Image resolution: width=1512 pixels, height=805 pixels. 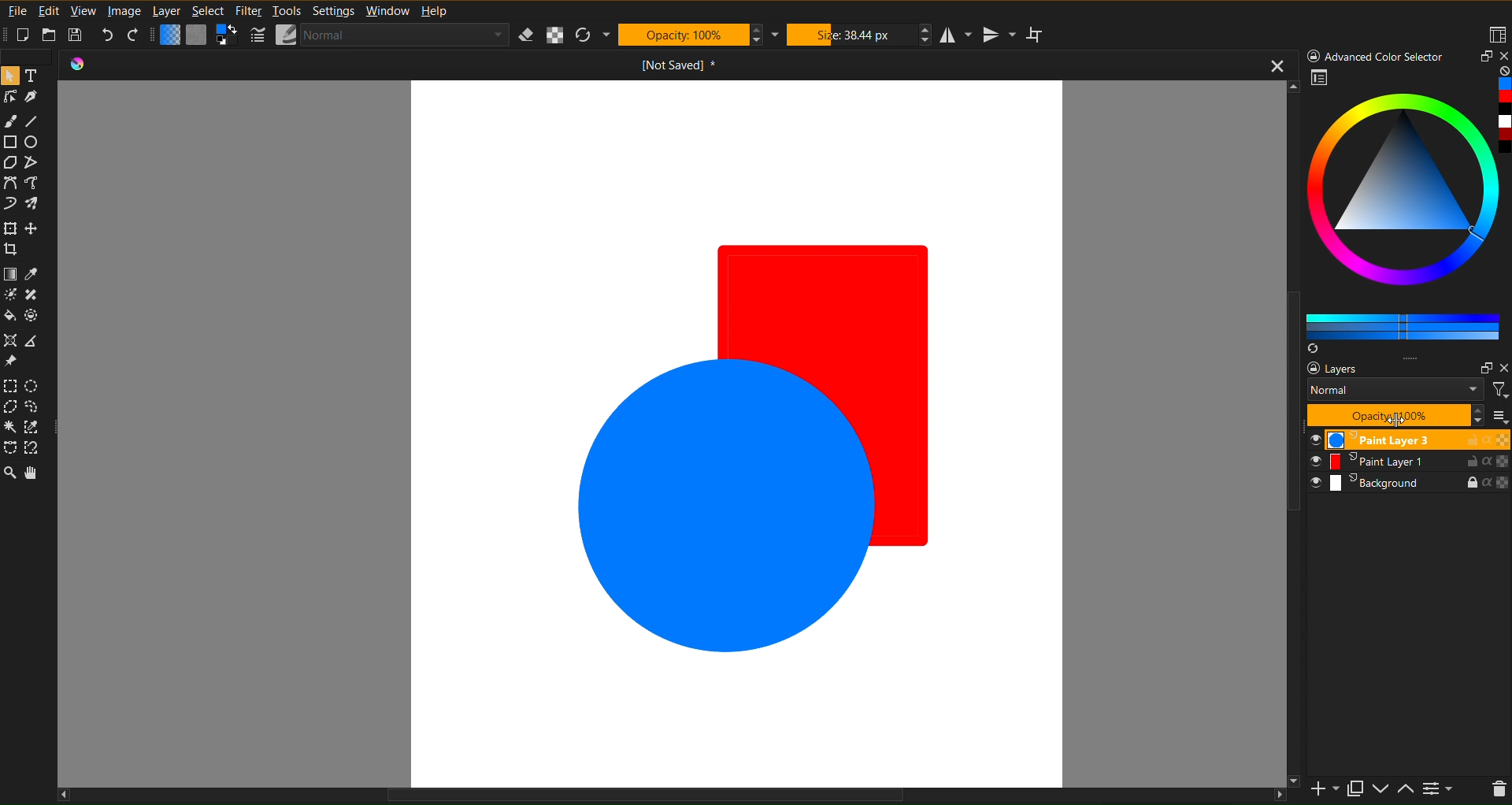 I want to click on Mouse, so click(x=9, y=75).